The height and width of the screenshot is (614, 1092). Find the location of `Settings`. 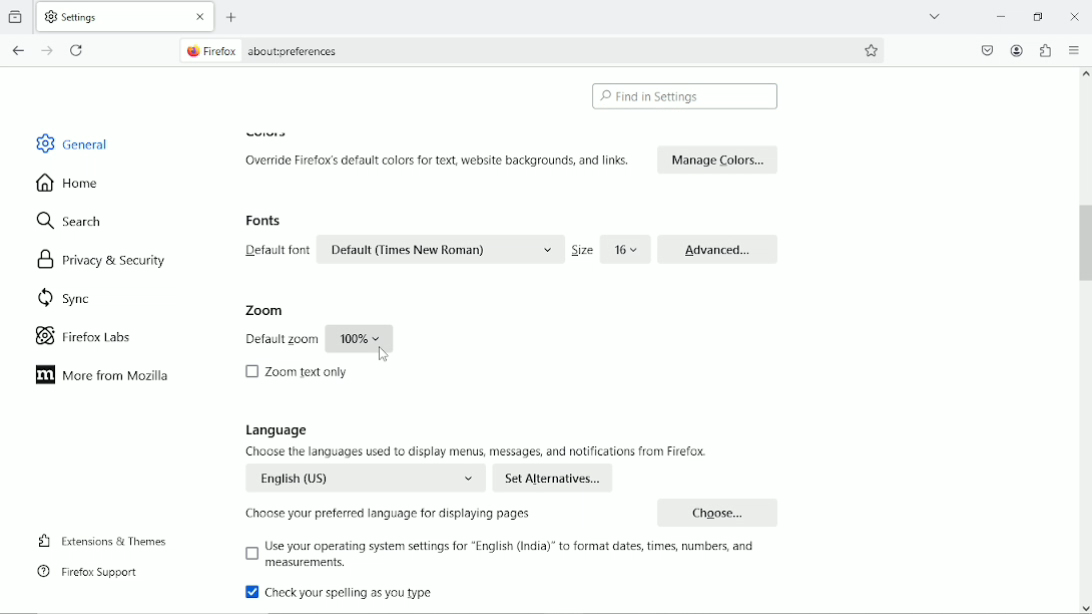

Settings is located at coordinates (76, 17).